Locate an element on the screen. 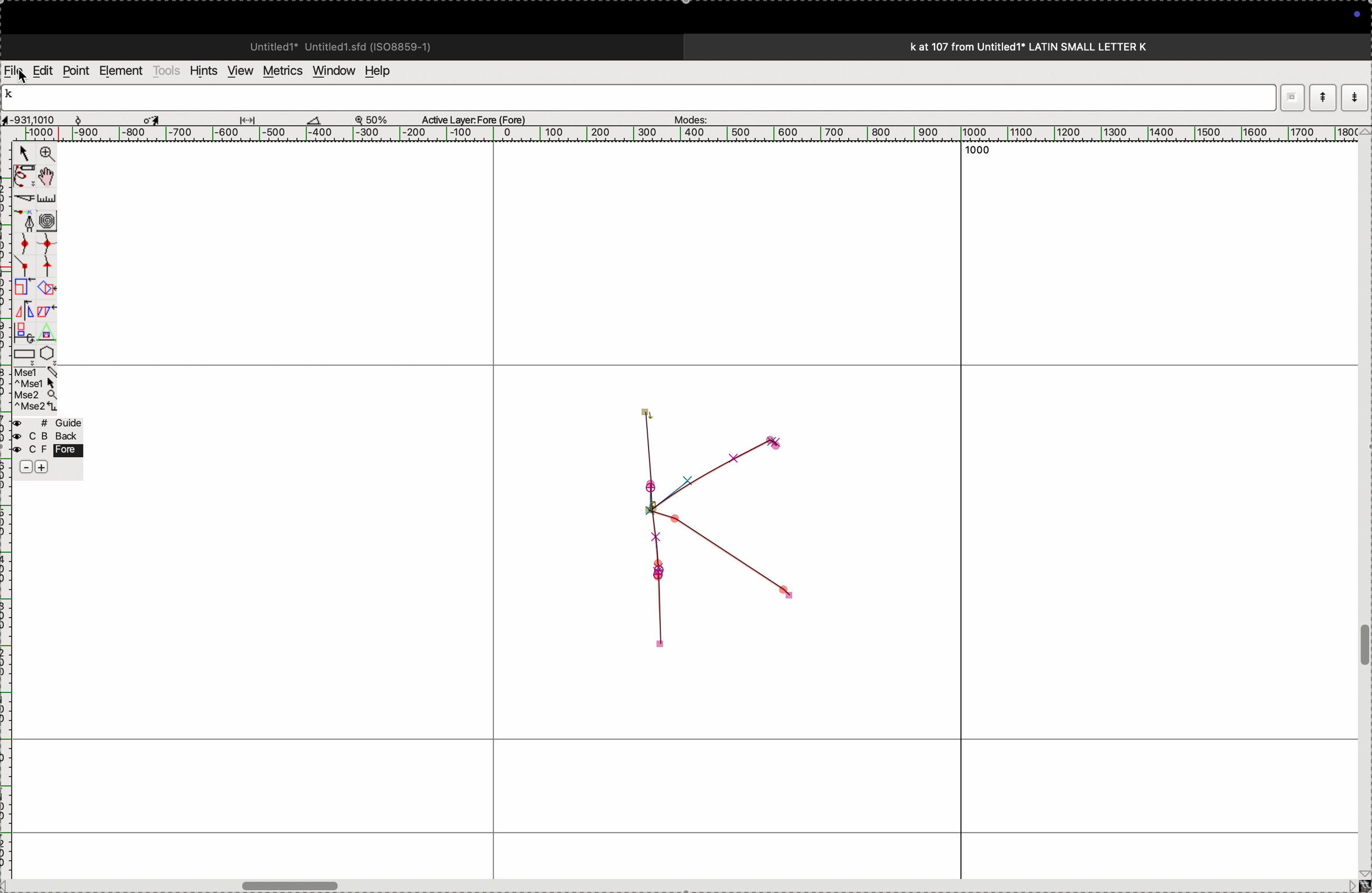 This screenshot has height=893, width=1372. point is located at coordinates (76, 71).